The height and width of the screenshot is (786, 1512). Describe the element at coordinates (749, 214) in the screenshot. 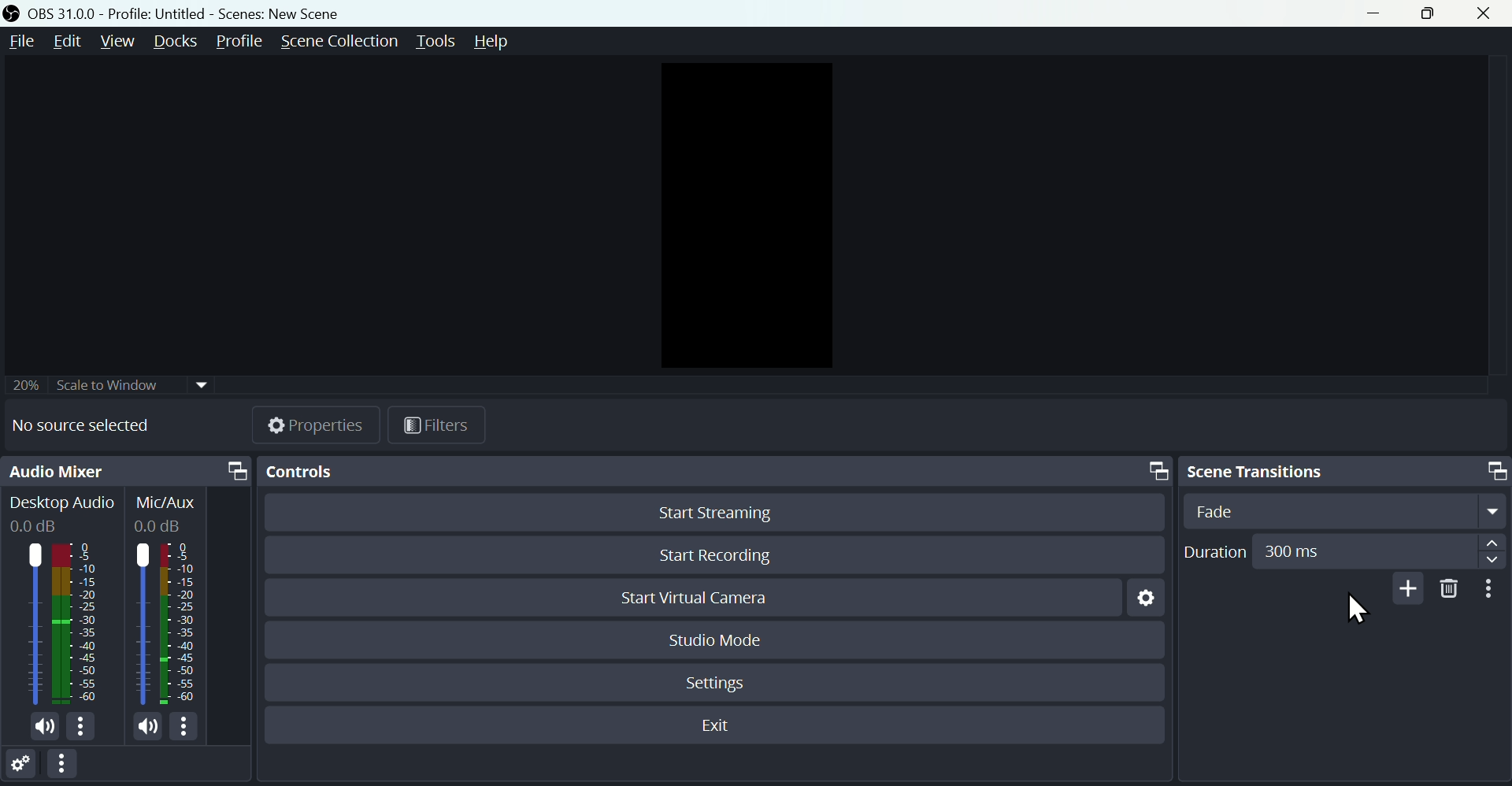

I see `Preview` at that location.